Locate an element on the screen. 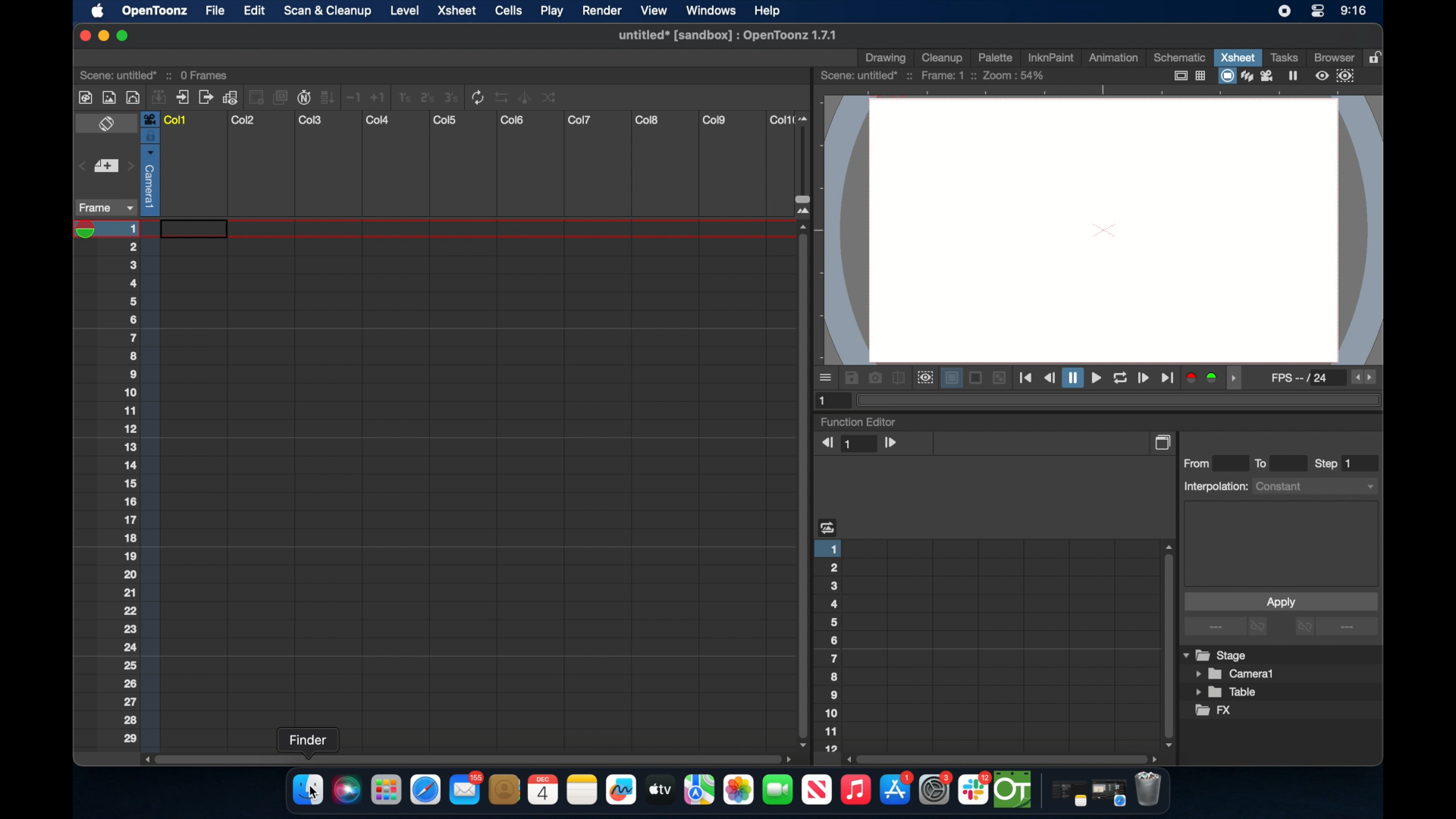 This screenshot has width=1456, height=819. drag handle is located at coordinates (1238, 378).